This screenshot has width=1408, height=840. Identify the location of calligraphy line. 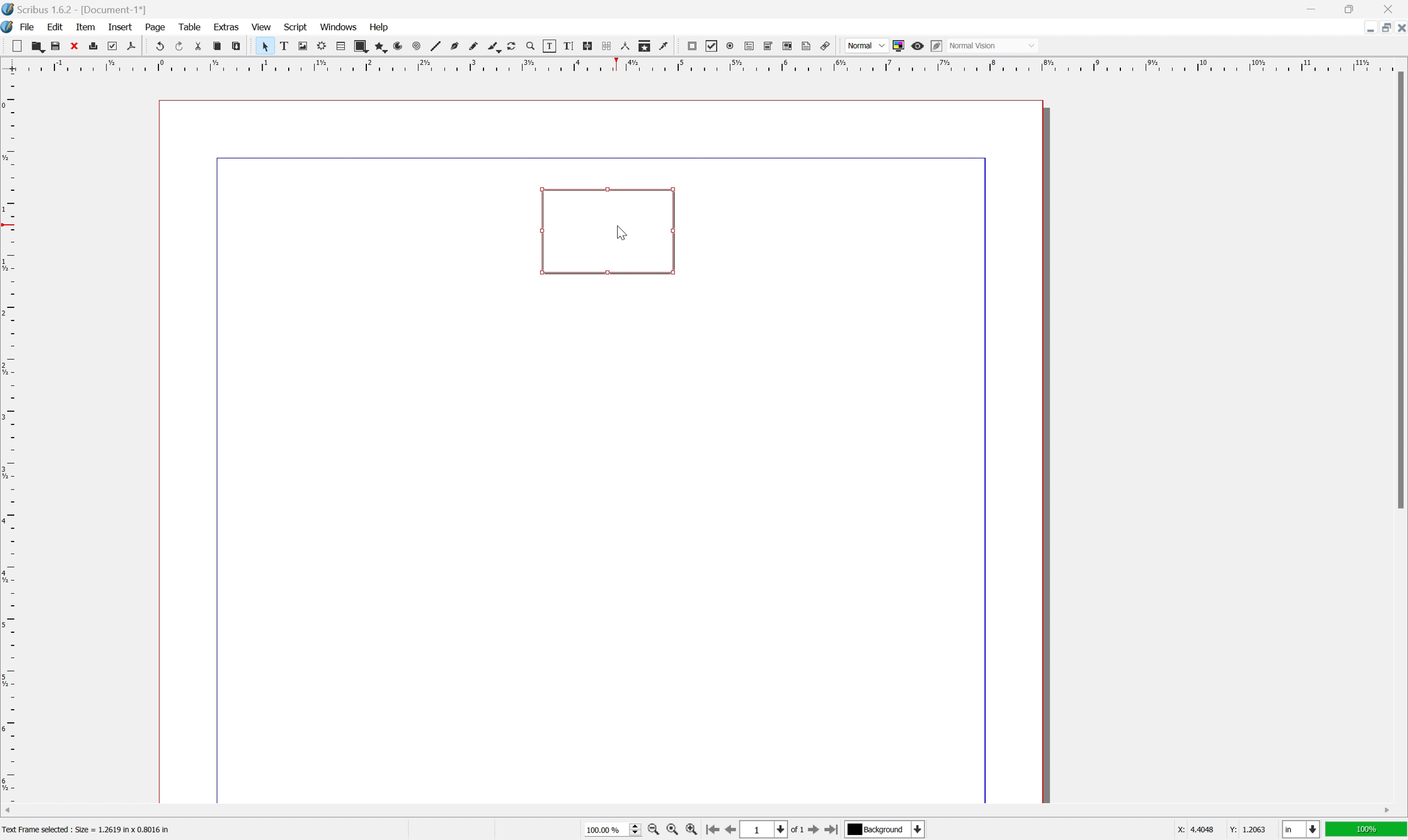
(493, 46).